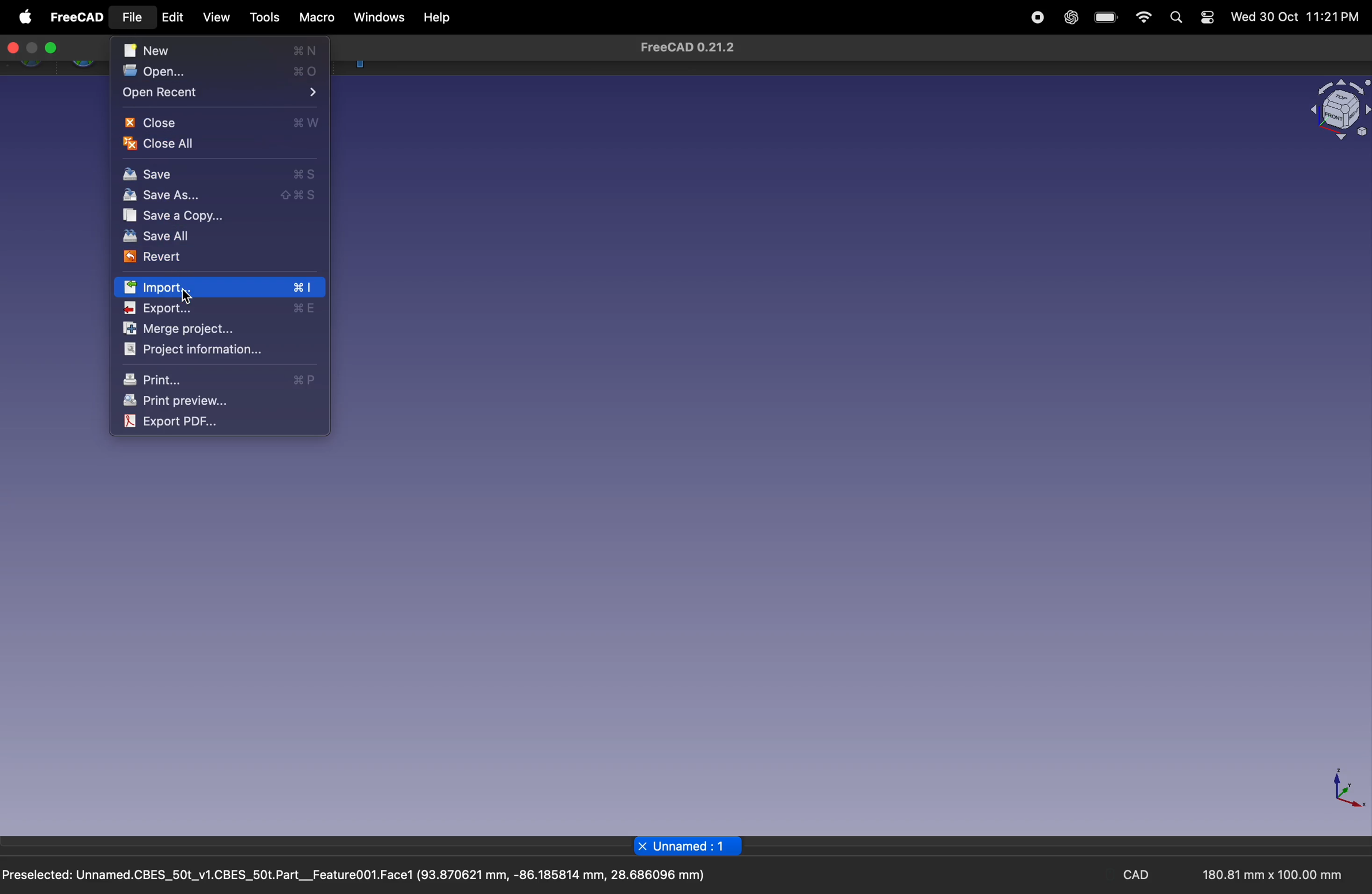  What do you see at coordinates (211, 237) in the screenshot?
I see `save all` at bounding box center [211, 237].